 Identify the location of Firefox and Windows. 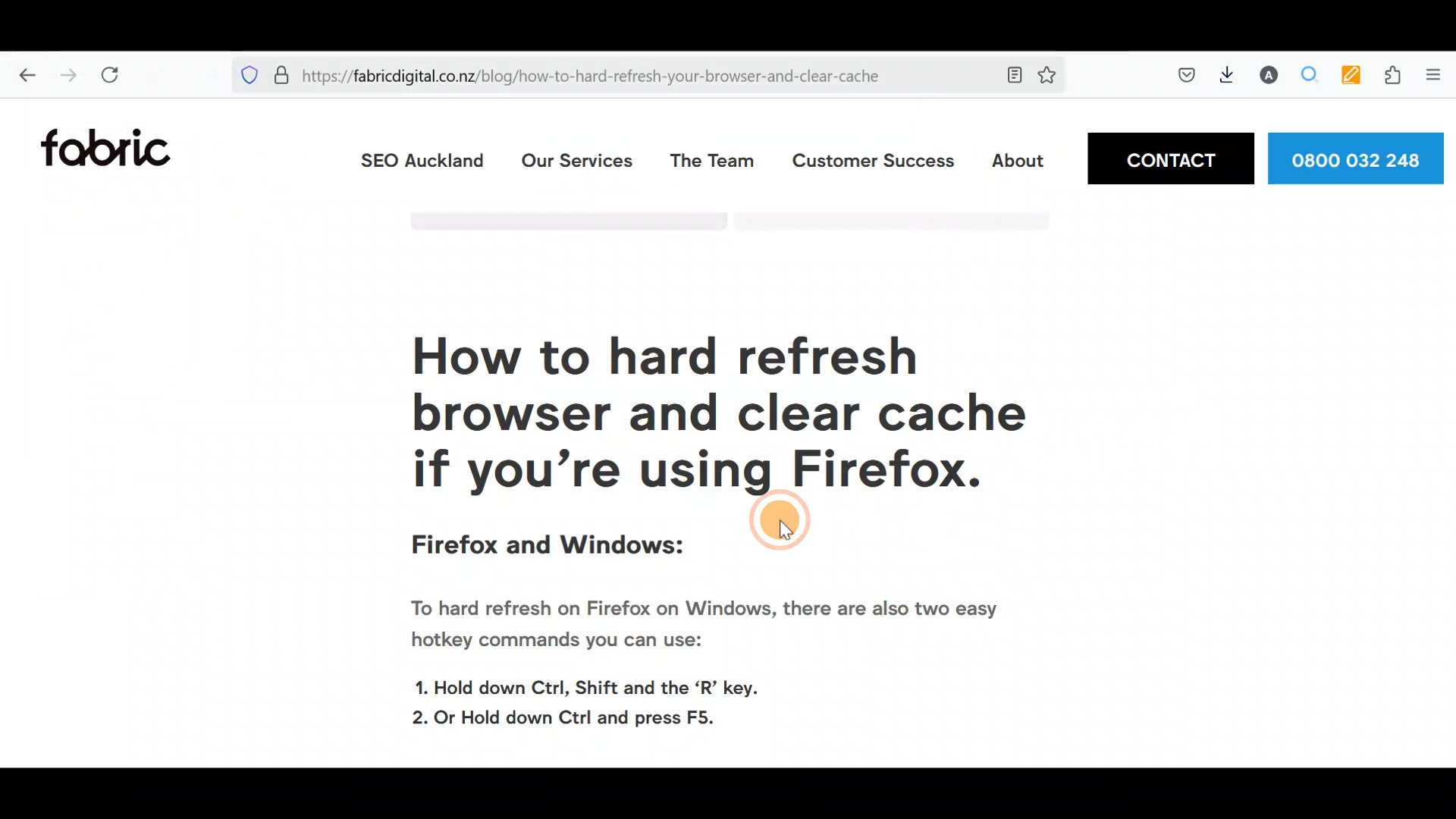
(549, 549).